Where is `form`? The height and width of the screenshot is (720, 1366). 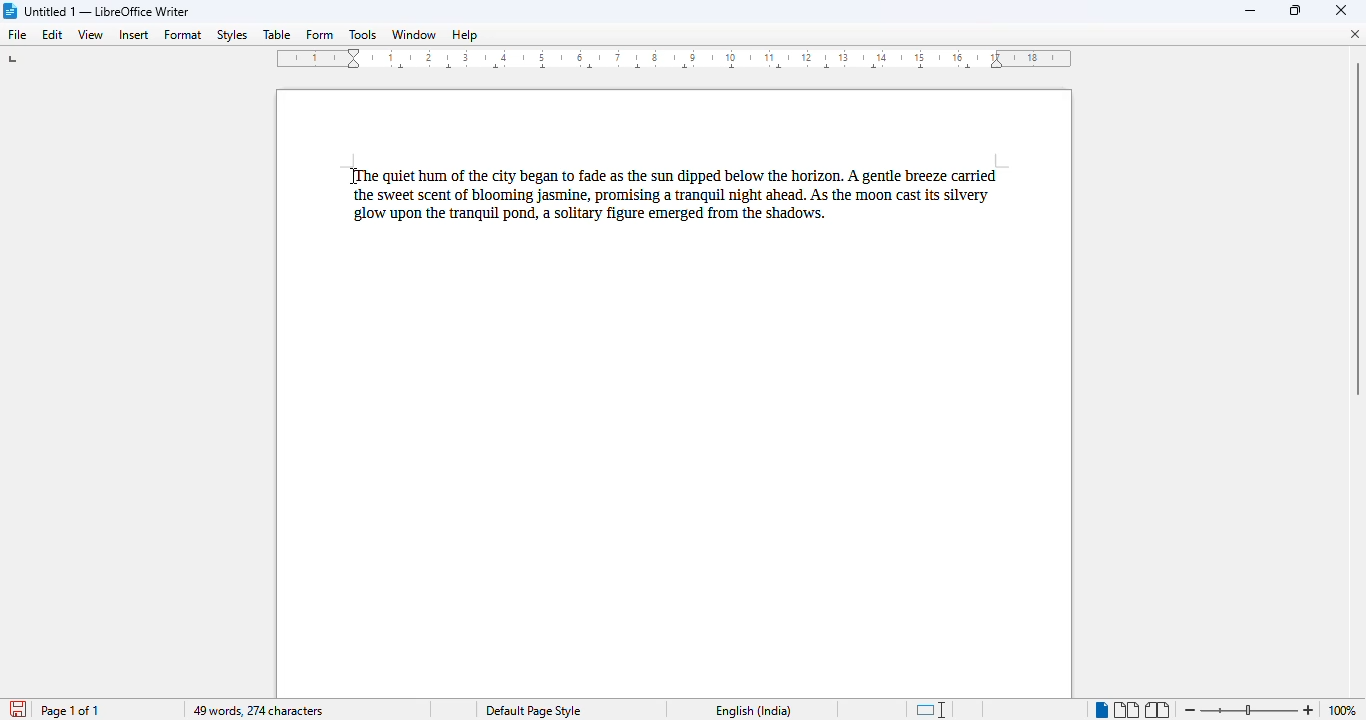
form is located at coordinates (318, 32).